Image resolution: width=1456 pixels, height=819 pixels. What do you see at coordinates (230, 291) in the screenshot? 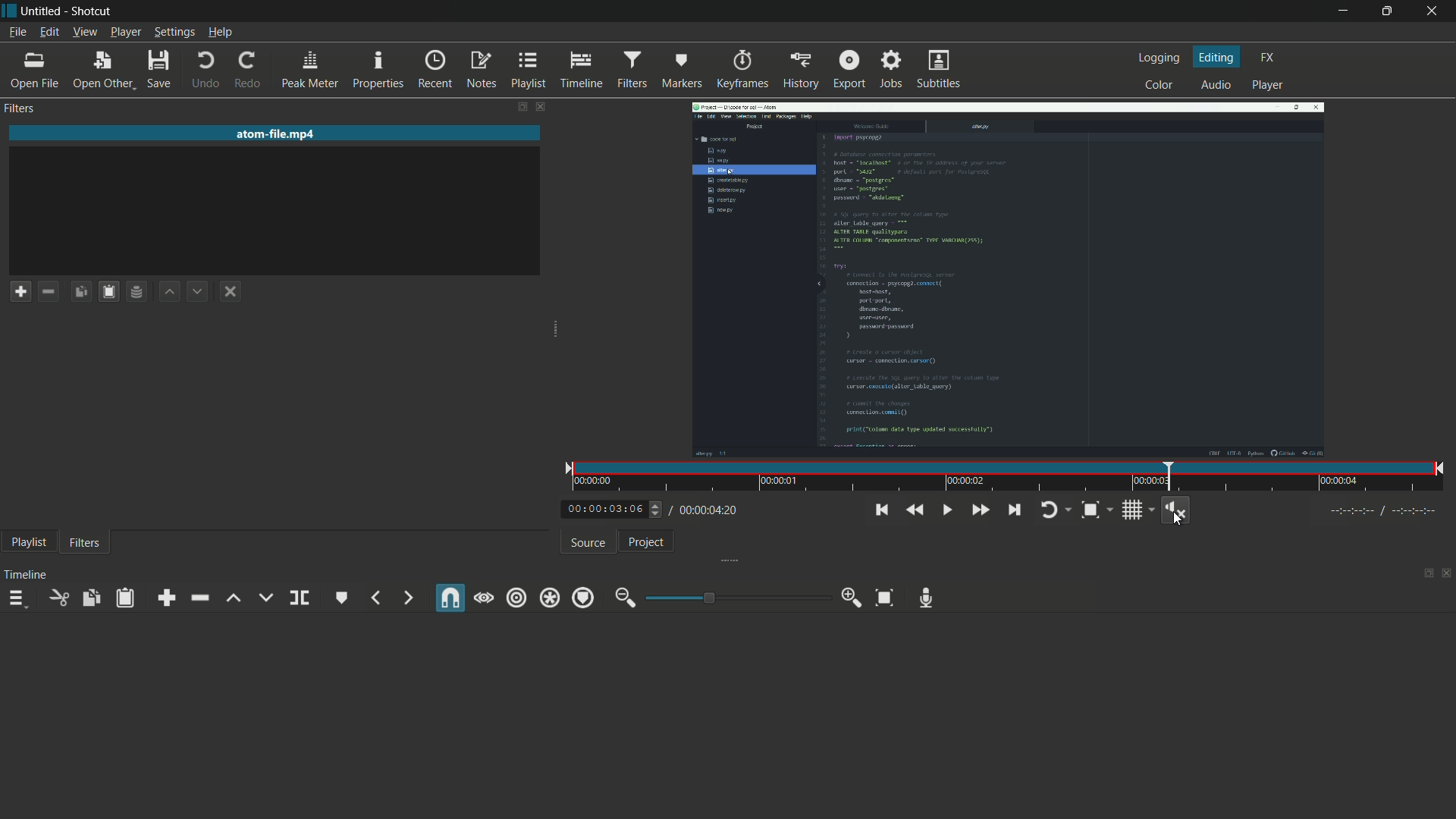
I see `deselect the filter` at bounding box center [230, 291].